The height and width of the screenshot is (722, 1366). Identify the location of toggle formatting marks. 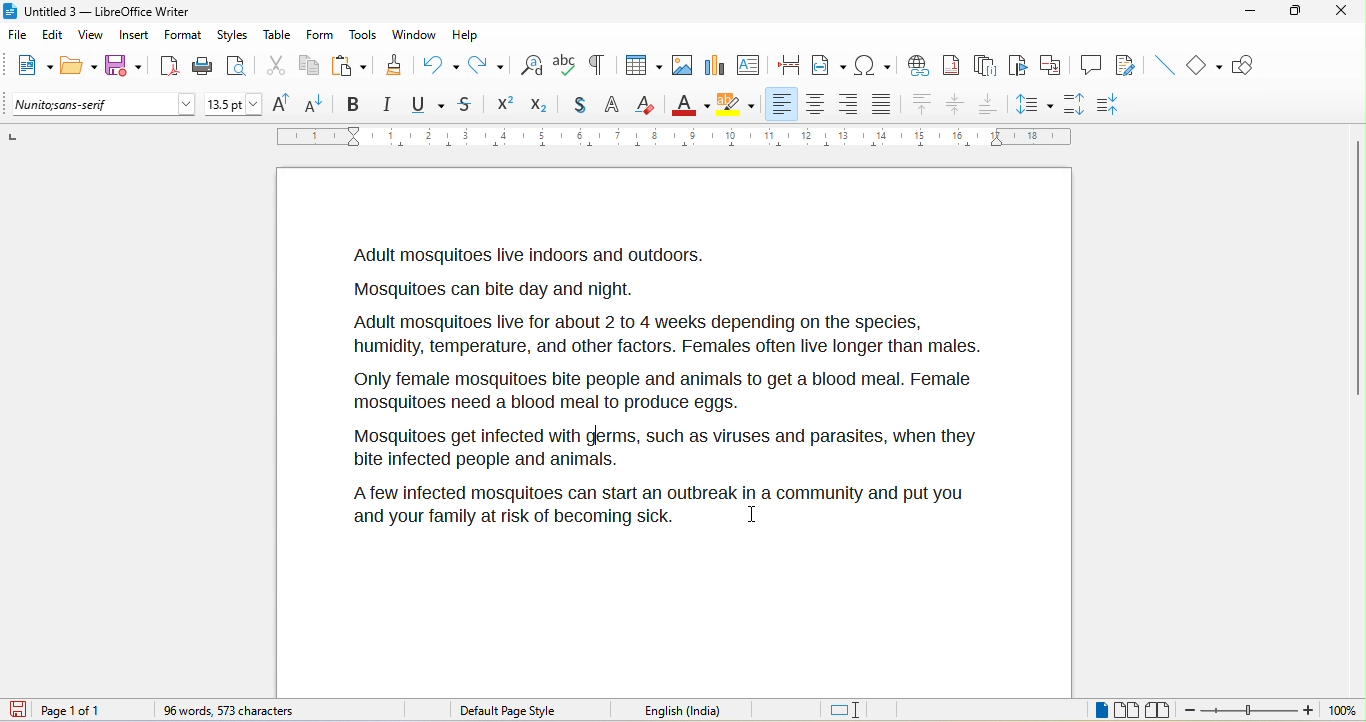
(601, 65).